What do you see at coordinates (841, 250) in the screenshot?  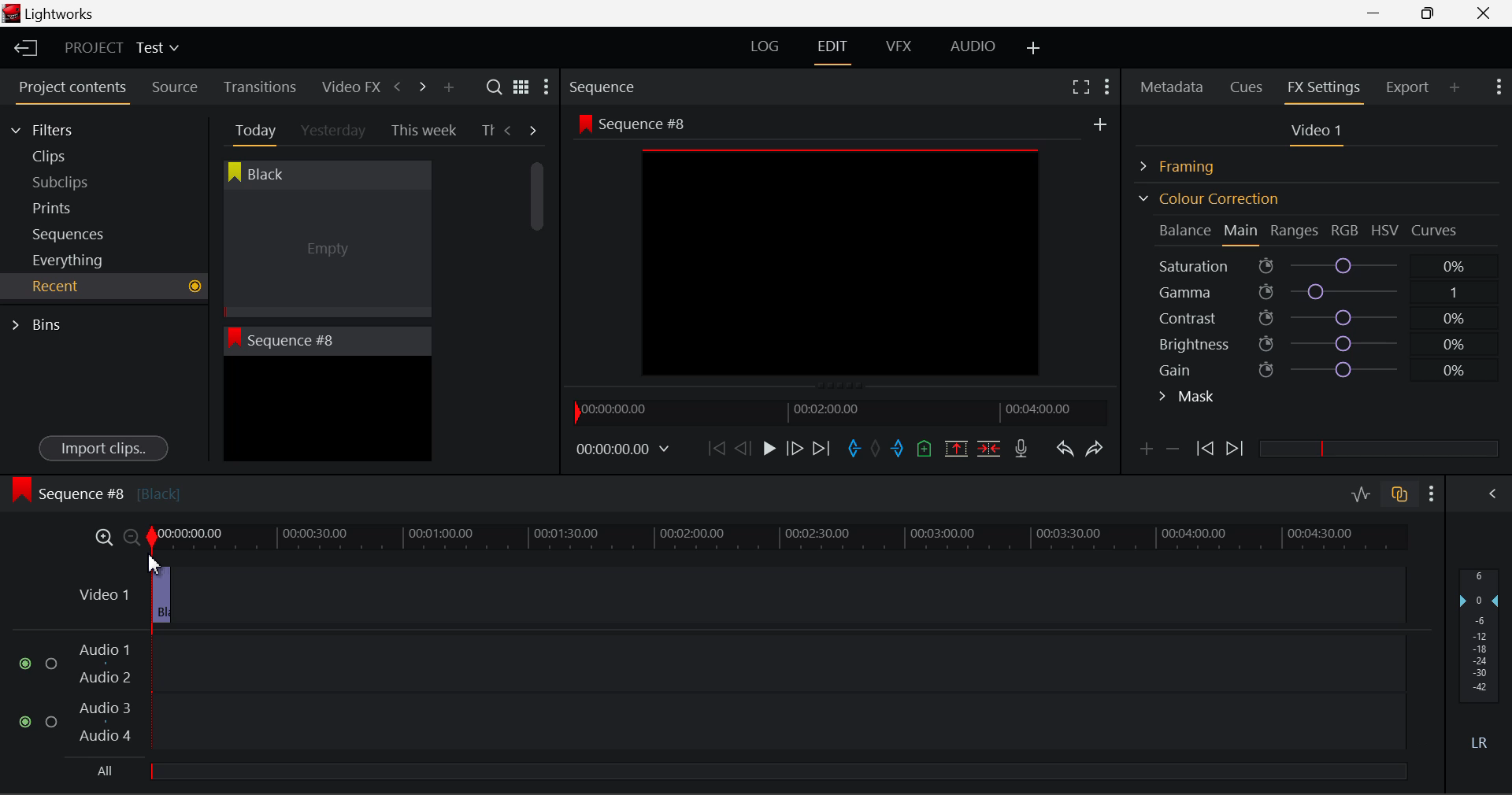 I see `Sequence #8 Preview Screen` at bounding box center [841, 250].